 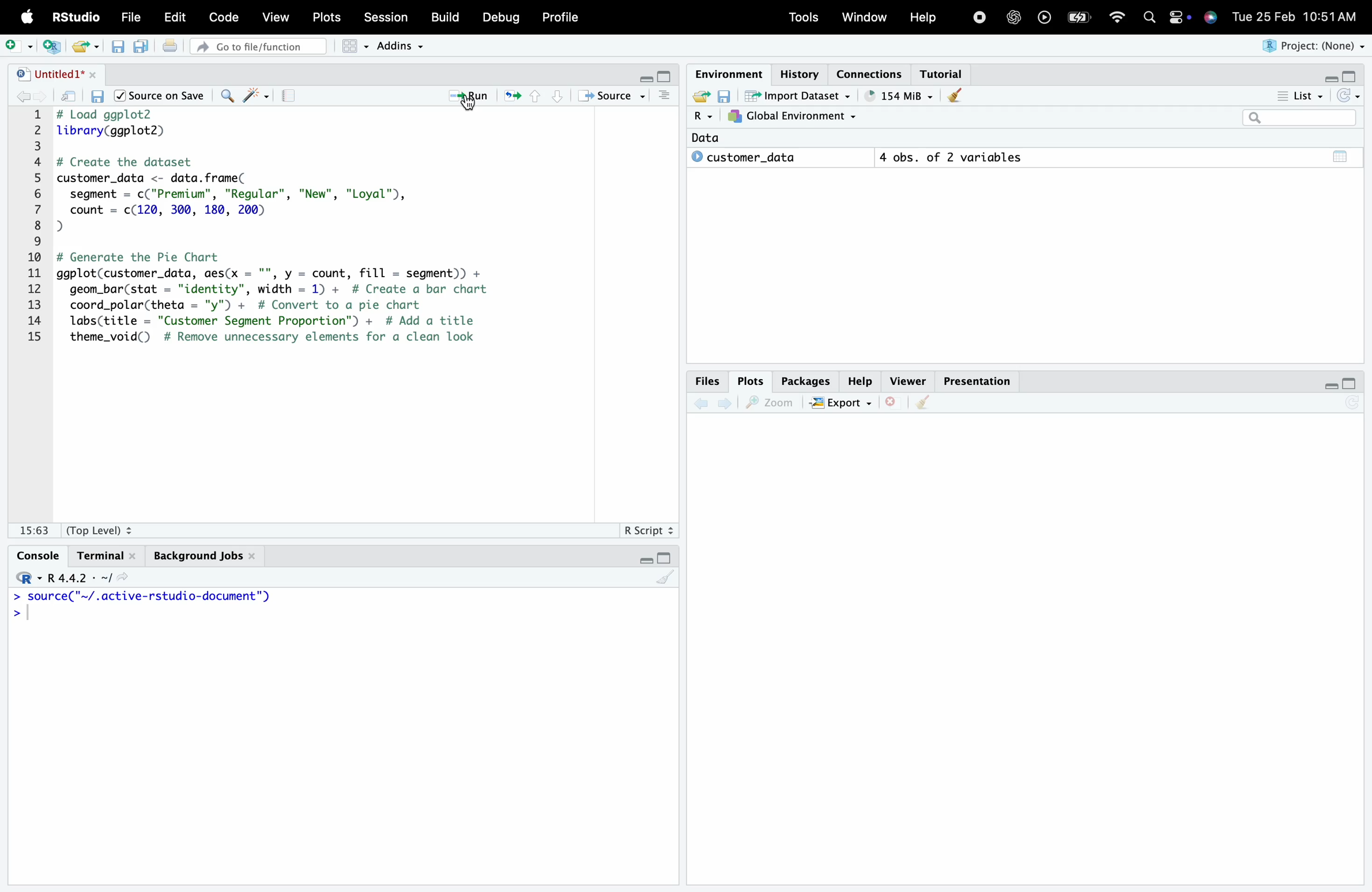 I want to click on total, so click(x=1335, y=156).